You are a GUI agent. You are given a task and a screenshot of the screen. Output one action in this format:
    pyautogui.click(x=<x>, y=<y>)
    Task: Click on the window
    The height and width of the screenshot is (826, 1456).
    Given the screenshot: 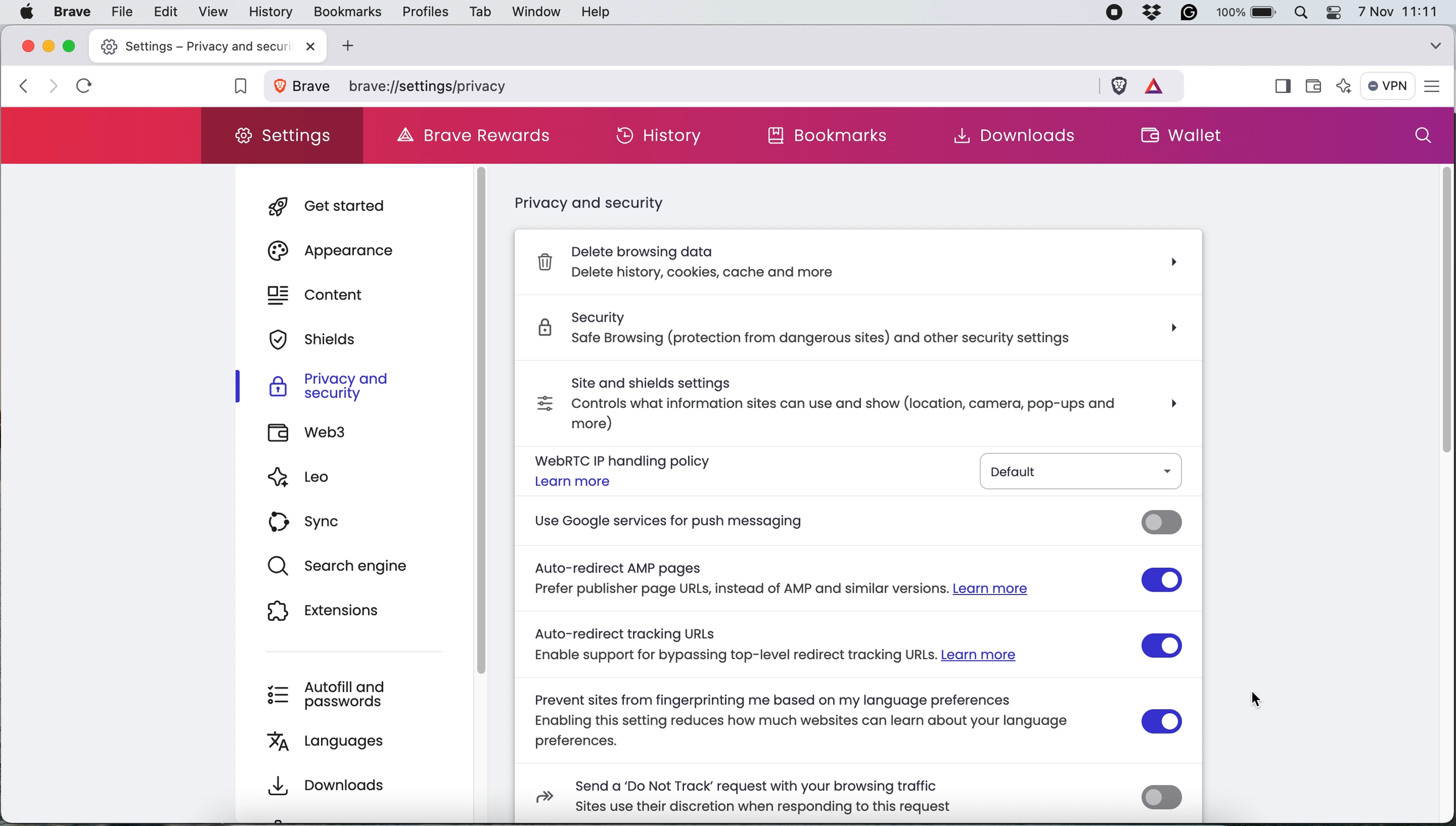 What is the action you would take?
    pyautogui.click(x=533, y=11)
    